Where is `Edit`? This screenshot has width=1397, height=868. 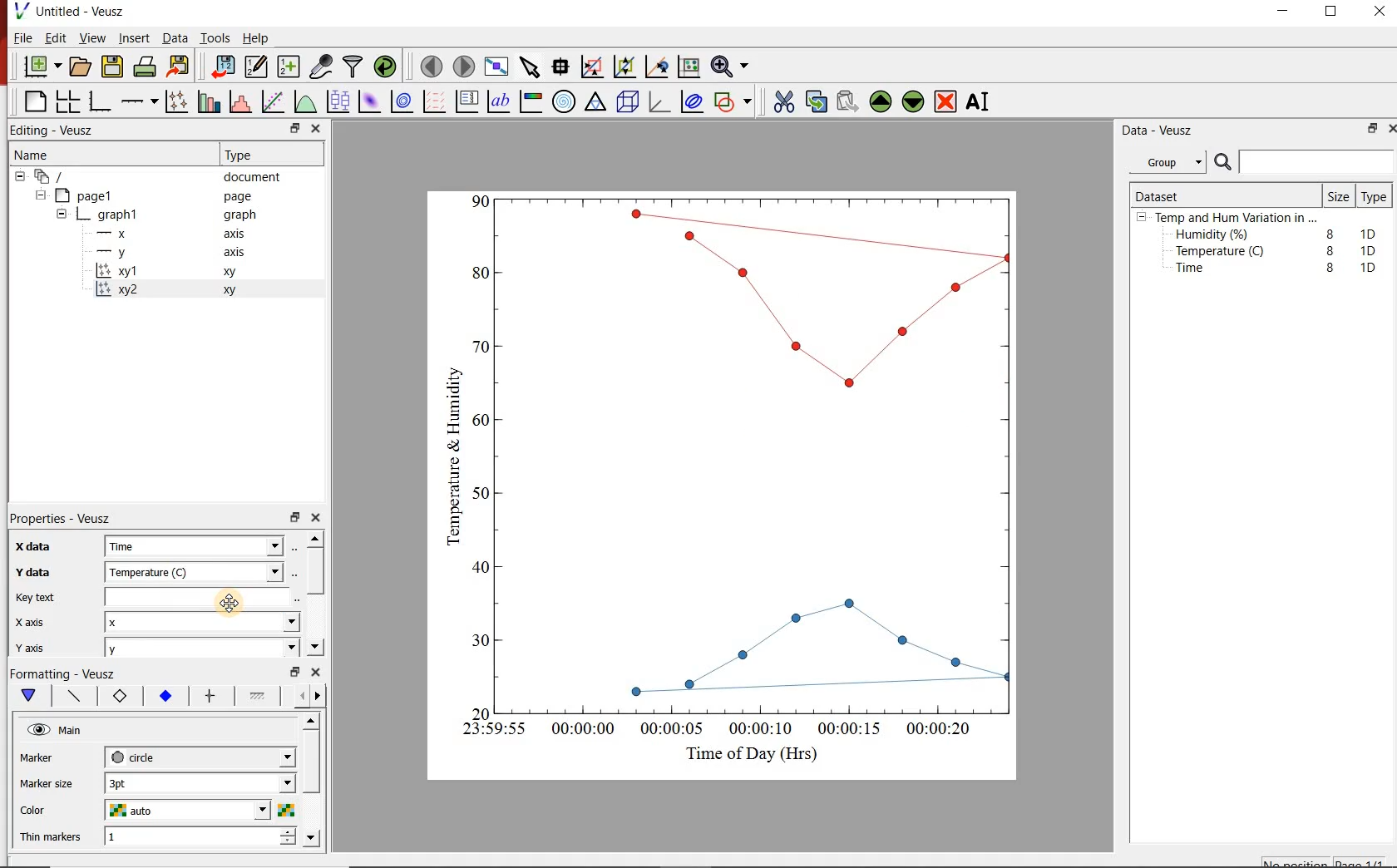 Edit is located at coordinates (56, 40).